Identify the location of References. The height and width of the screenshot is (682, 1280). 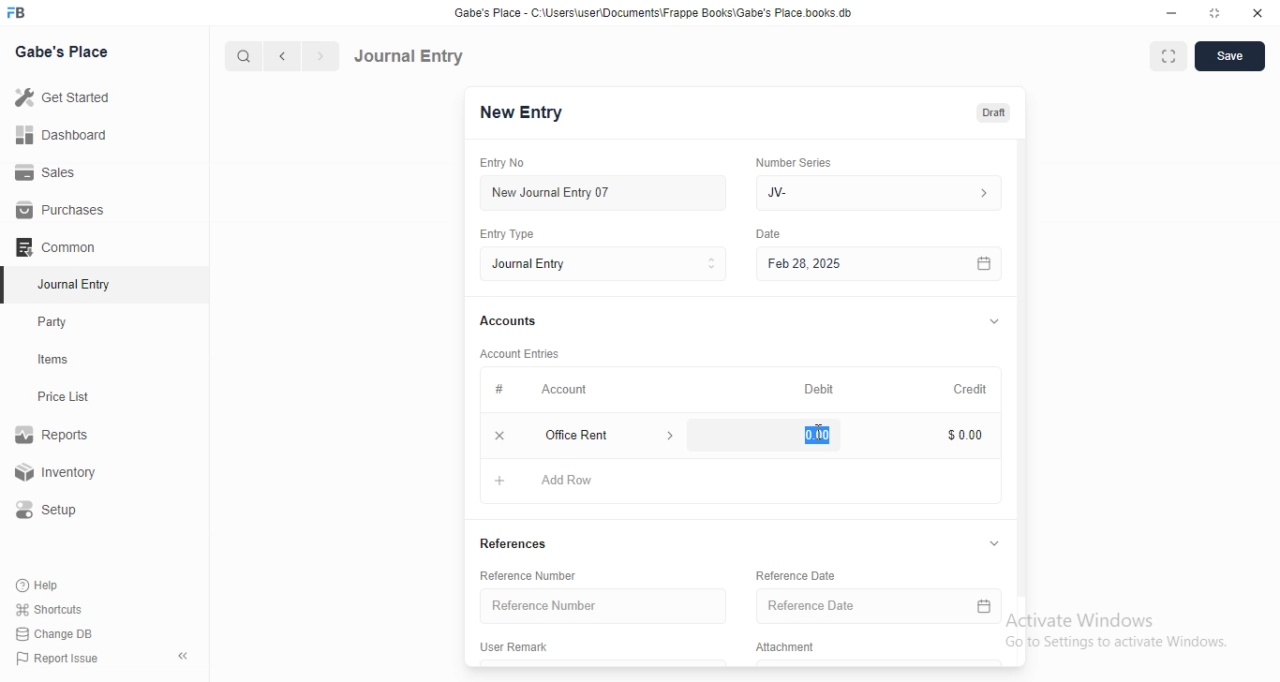
(521, 545).